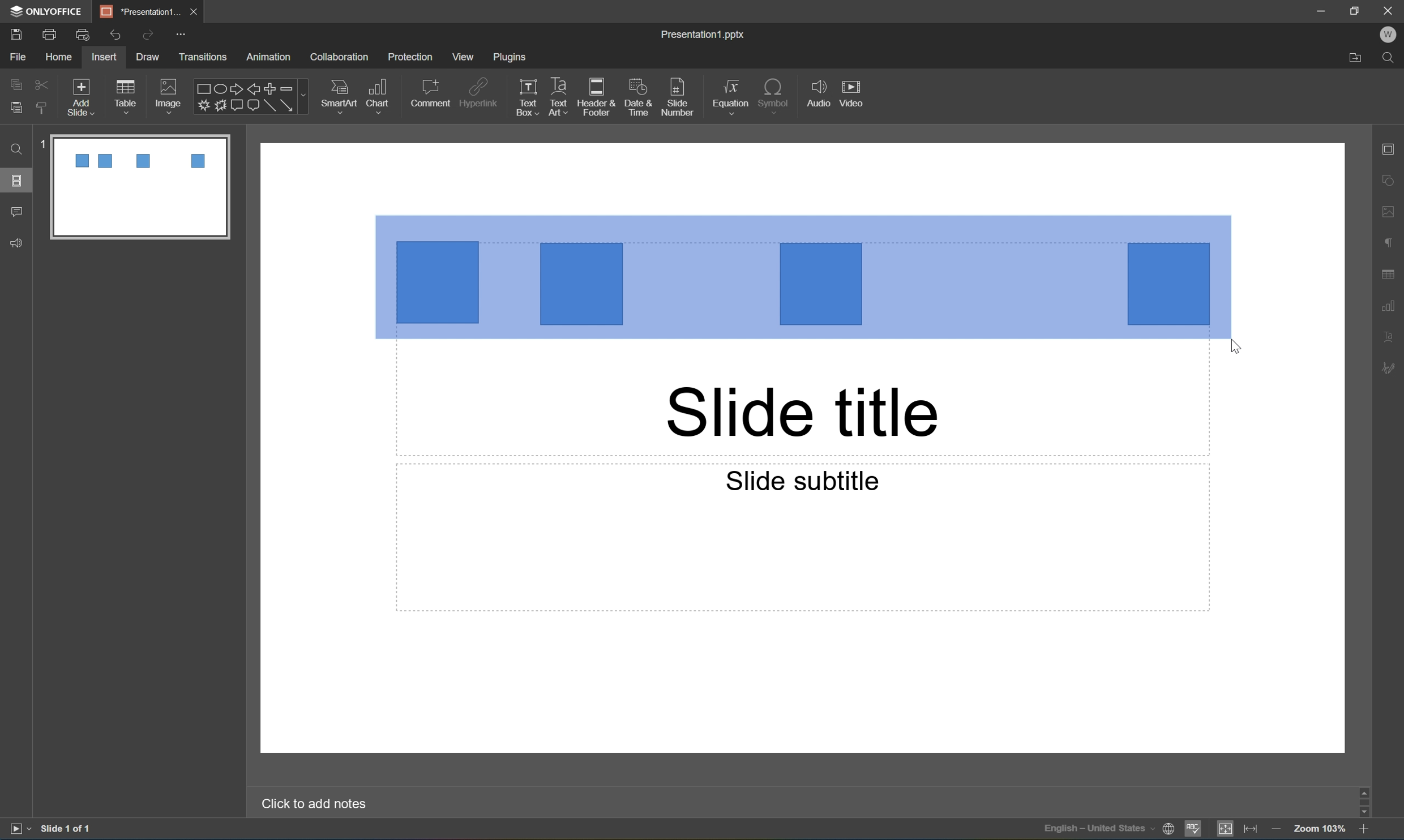 The width and height of the screenshot is (1404, 840). I want to click on add slide, so click(83, 95).